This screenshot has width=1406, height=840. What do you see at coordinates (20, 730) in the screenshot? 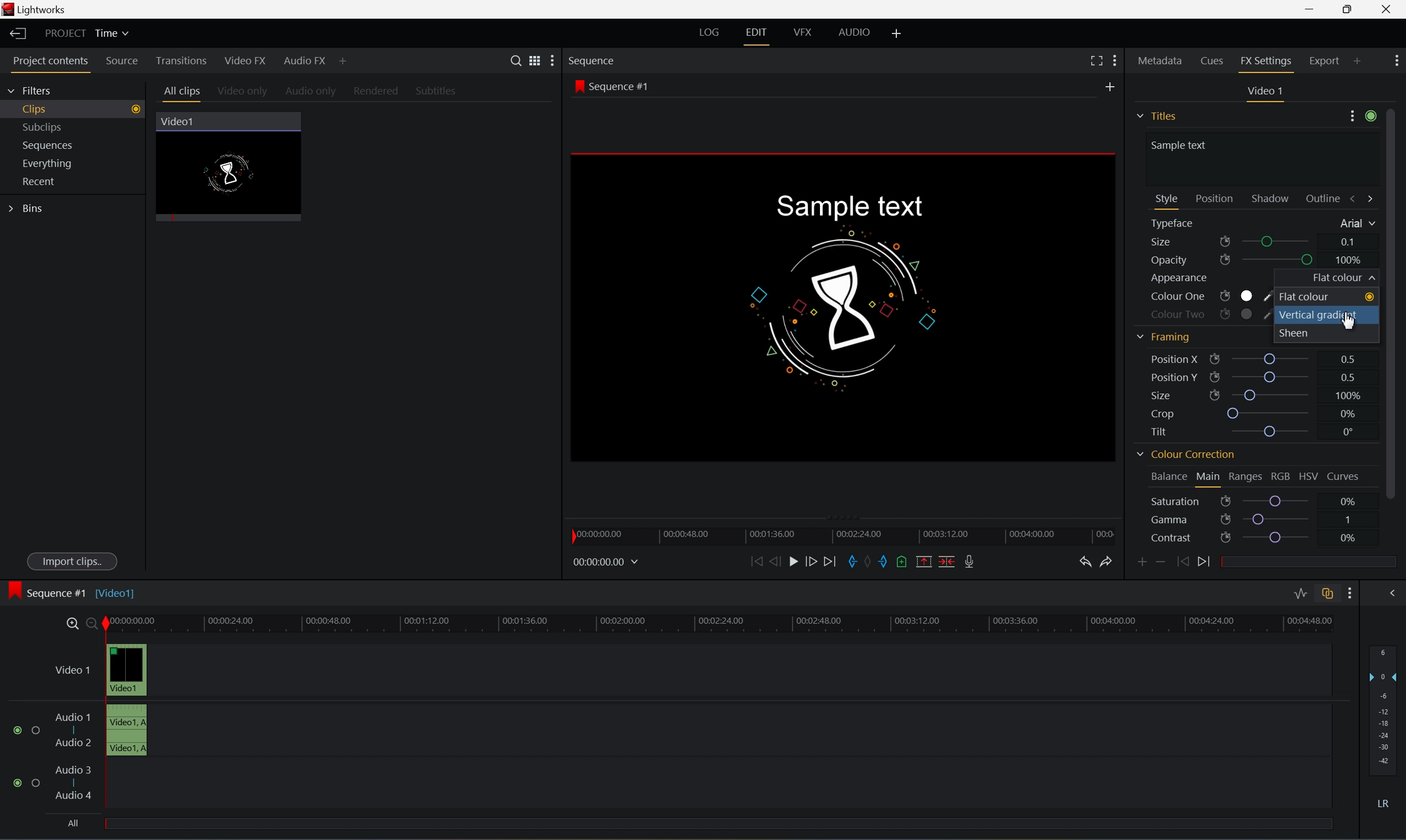
I see `checked checkbox` at bounding box center [20, 730].